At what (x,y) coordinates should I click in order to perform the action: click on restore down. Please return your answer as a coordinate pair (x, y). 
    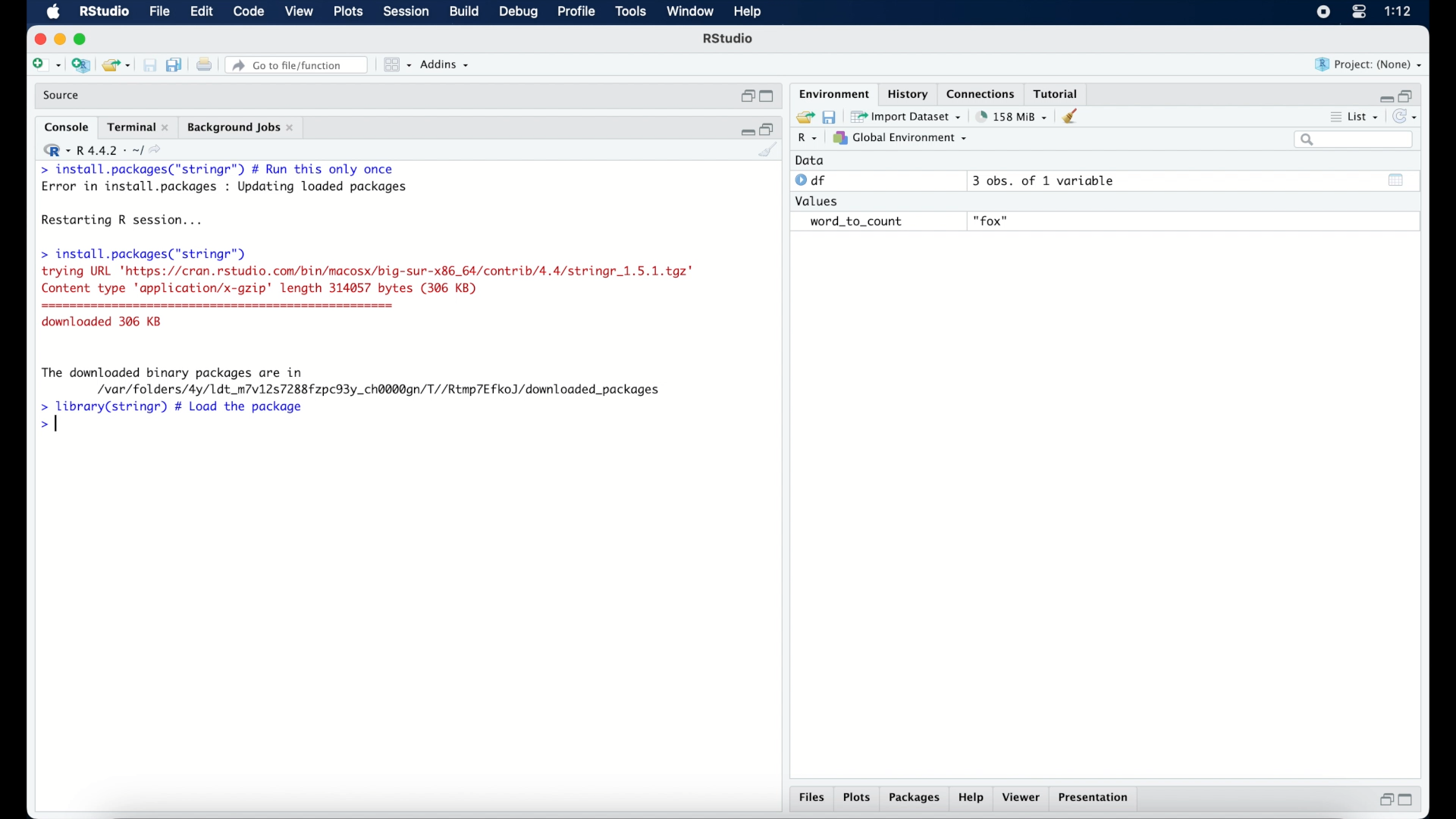
    Looking at the image, I should click on (1384, 799).